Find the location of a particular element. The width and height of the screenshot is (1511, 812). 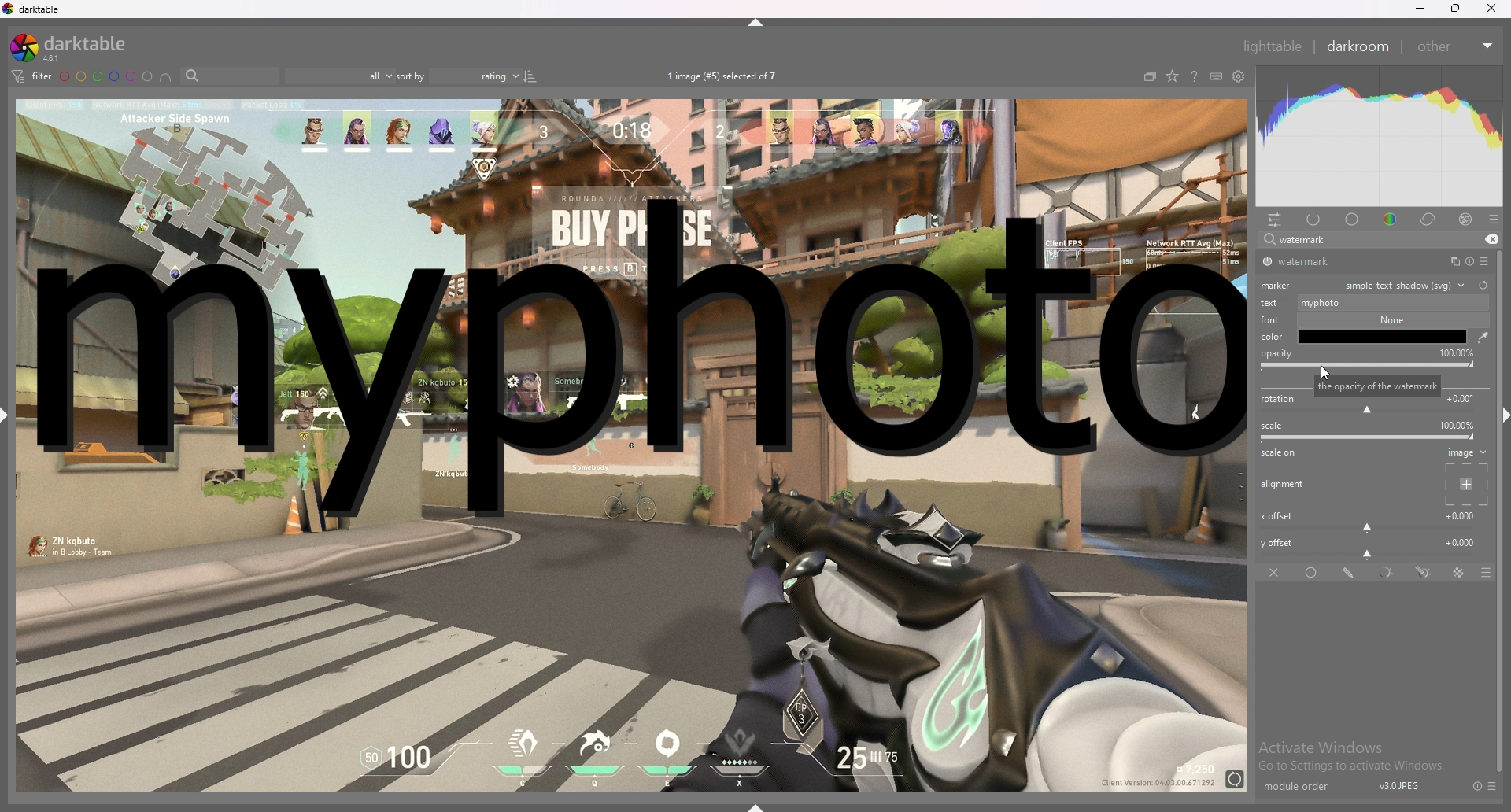

Close is located at coordinates (1495, 11).